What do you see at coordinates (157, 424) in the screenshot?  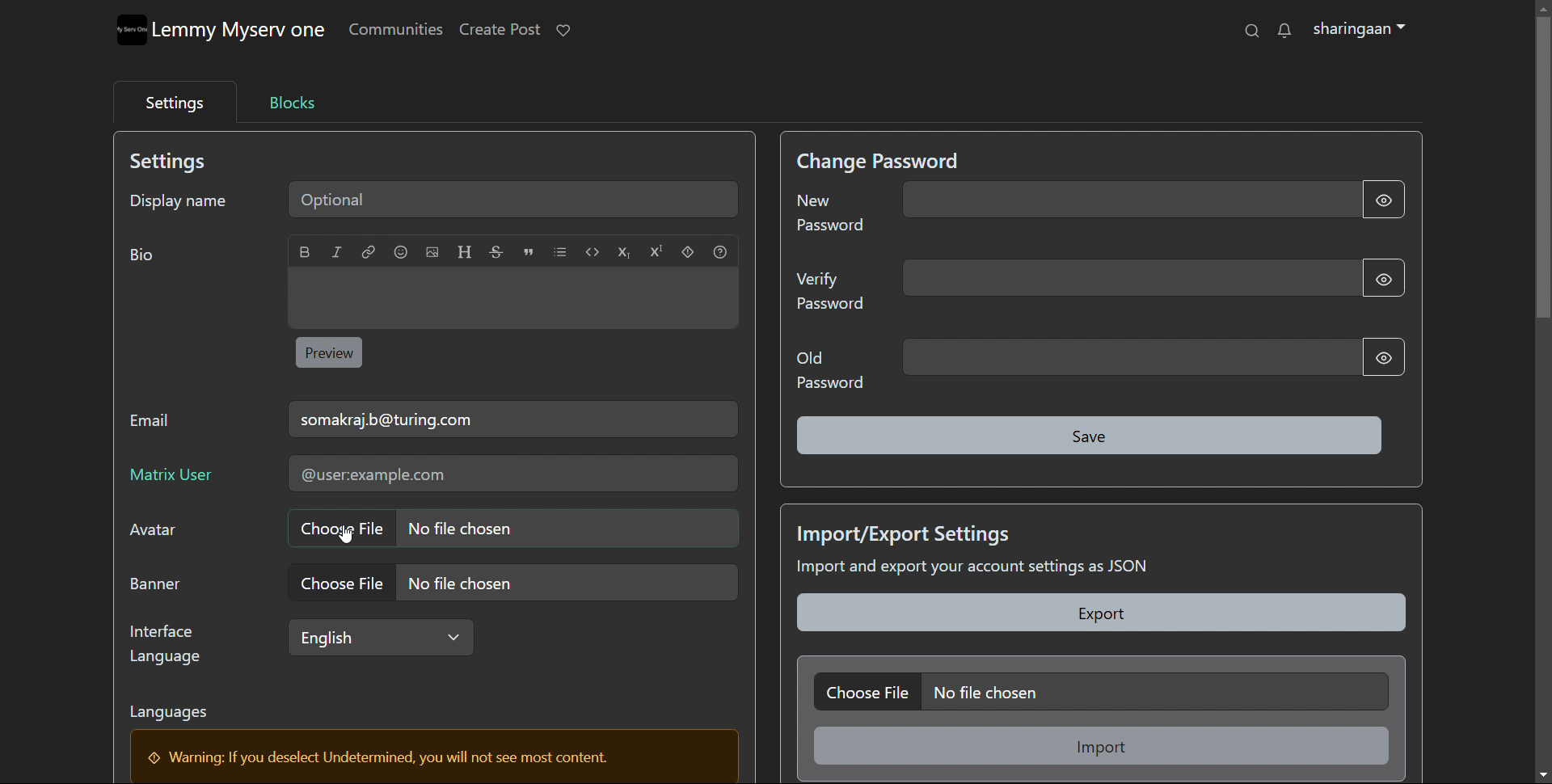 I see `Email` at bounding box center [157, 424].